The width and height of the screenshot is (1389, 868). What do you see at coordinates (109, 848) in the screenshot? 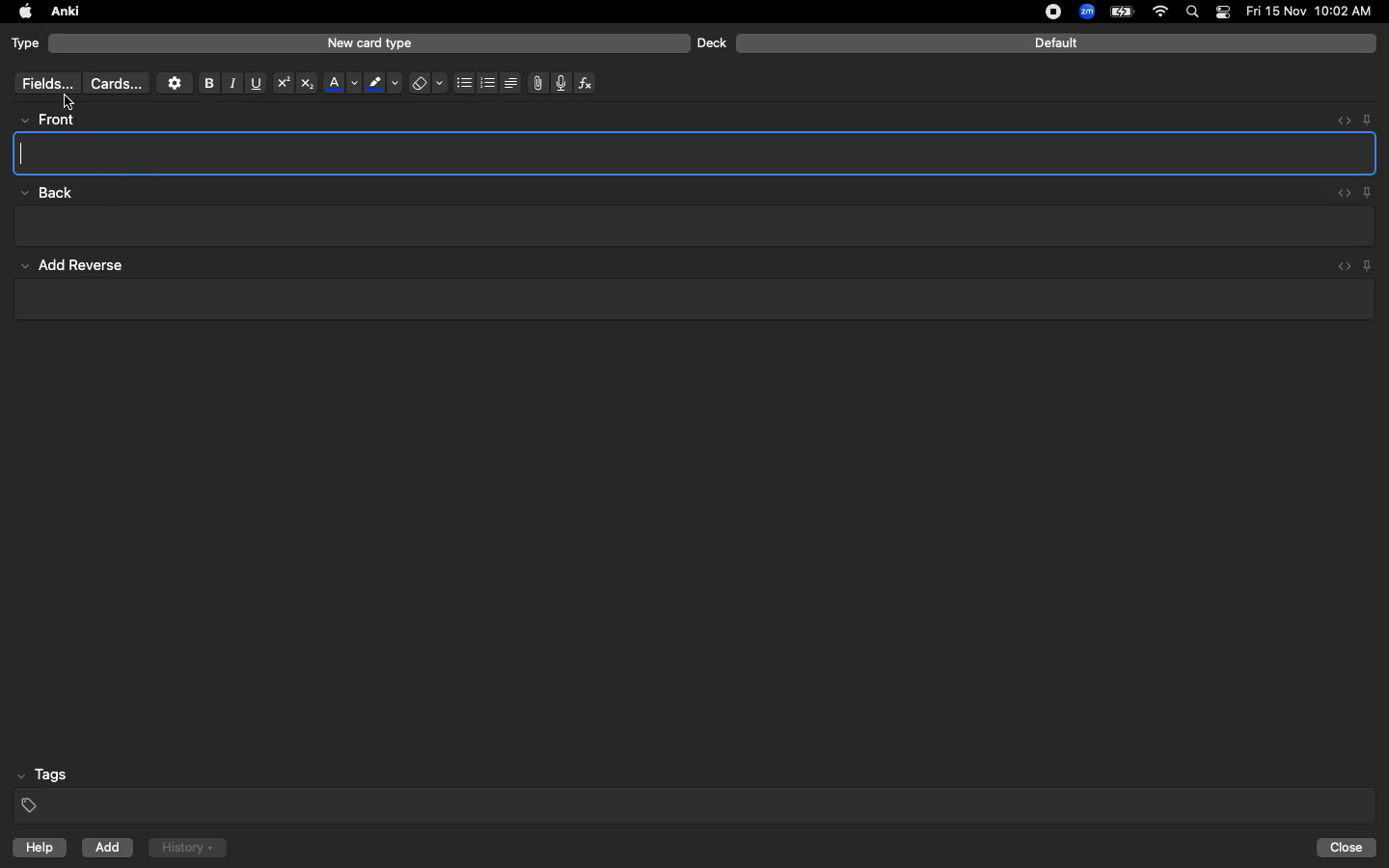
I see `Add` at bounding box center [109, 848].